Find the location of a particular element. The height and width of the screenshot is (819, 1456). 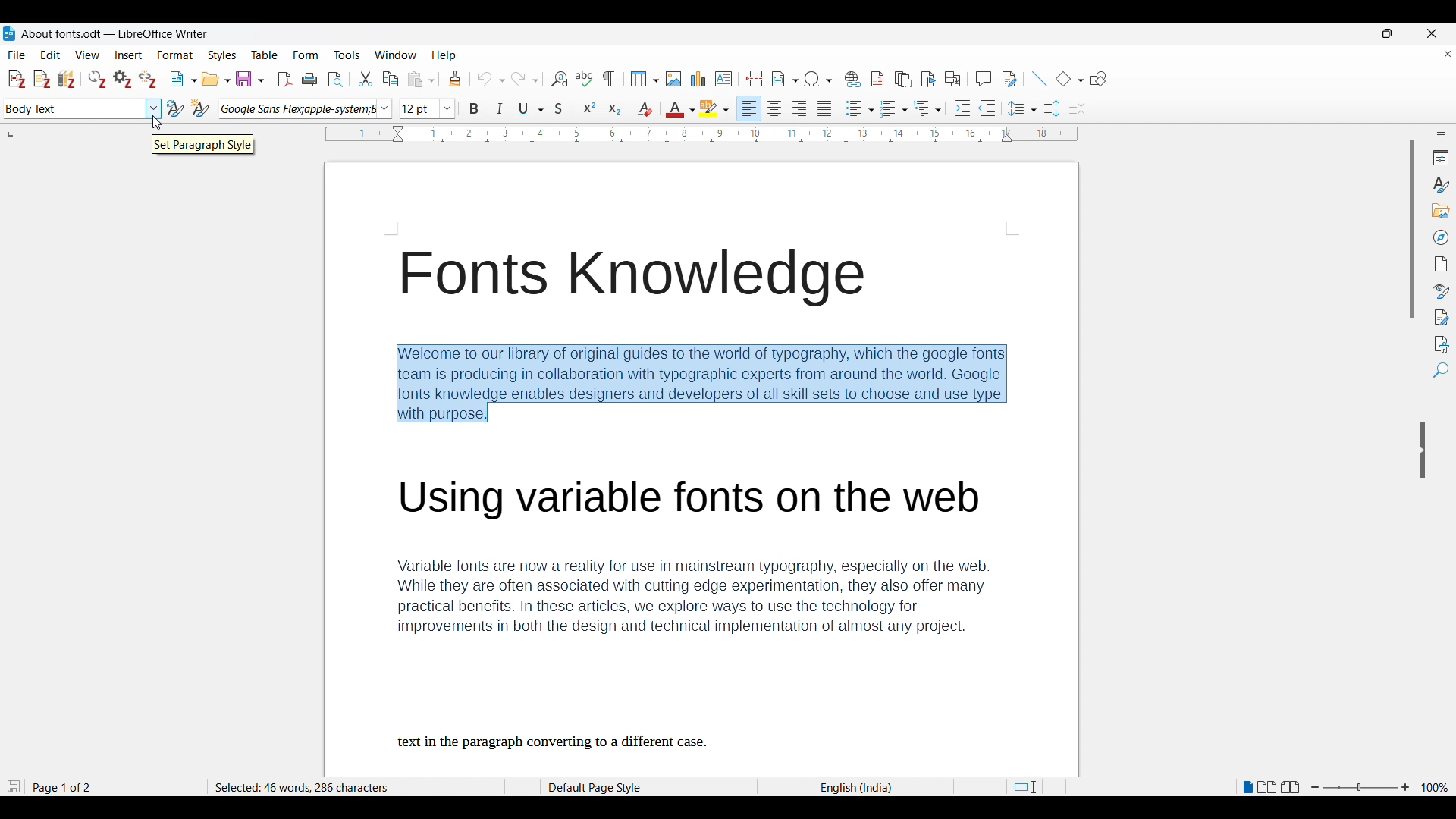

Underline options is located at coordinates (531, 109).